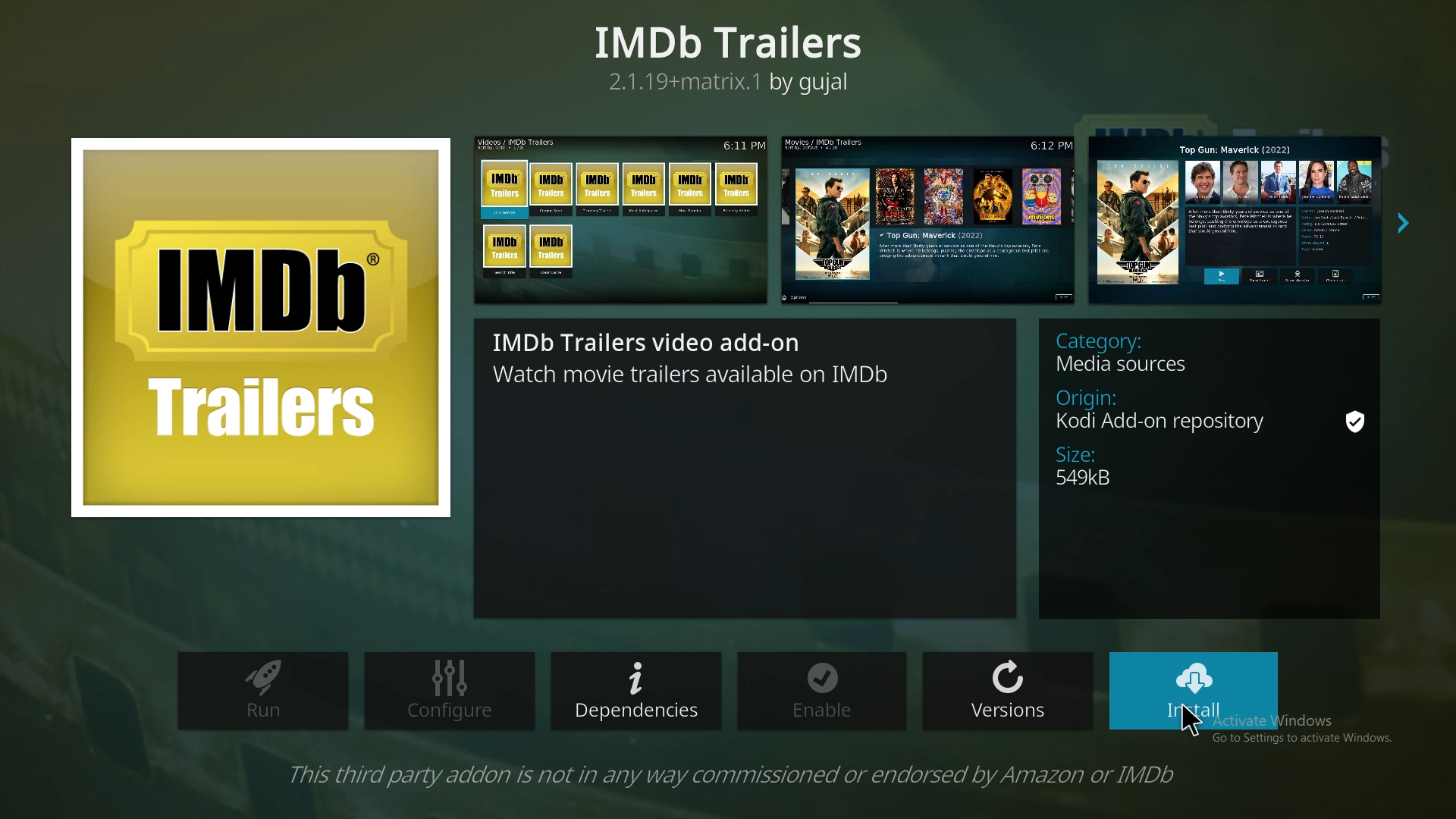 This screenshot has height=819, width=1456. Describe the element at coordinates (1194, 690) in the screenshot. I see `install` at that location.